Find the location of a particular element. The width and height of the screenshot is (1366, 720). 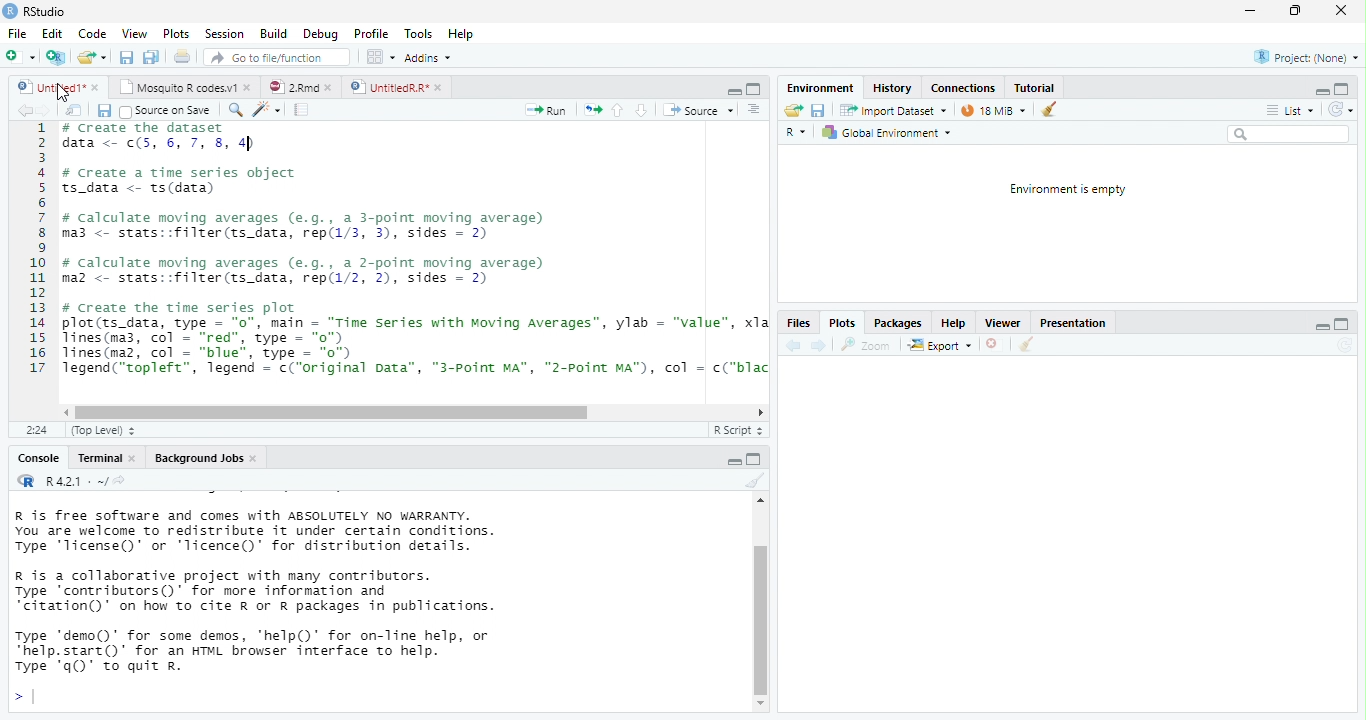

Hep is located at coordinates (460, 34).